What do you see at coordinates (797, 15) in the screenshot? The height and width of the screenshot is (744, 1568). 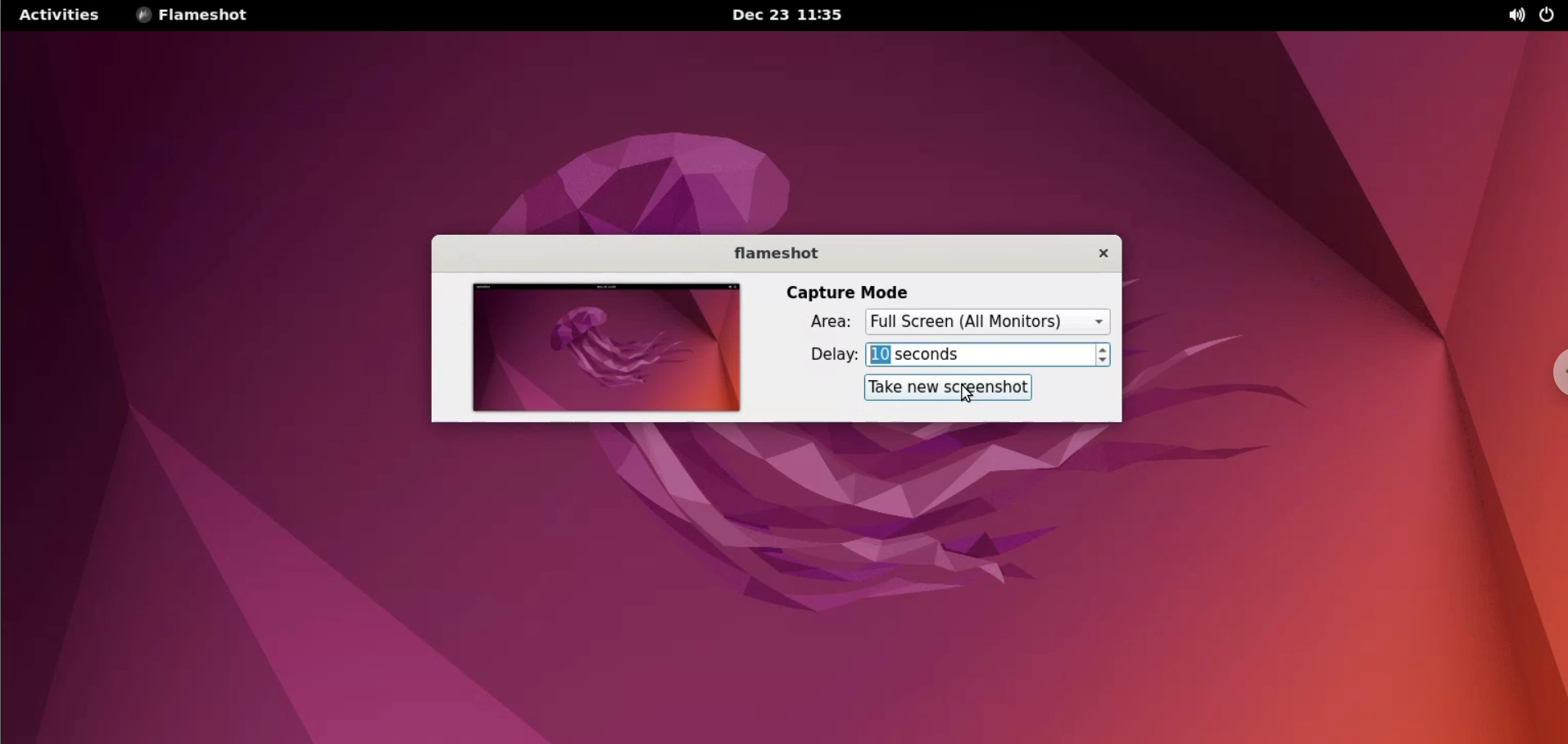 I see `Dec 23 11:35` at bounding box center [797, 15].